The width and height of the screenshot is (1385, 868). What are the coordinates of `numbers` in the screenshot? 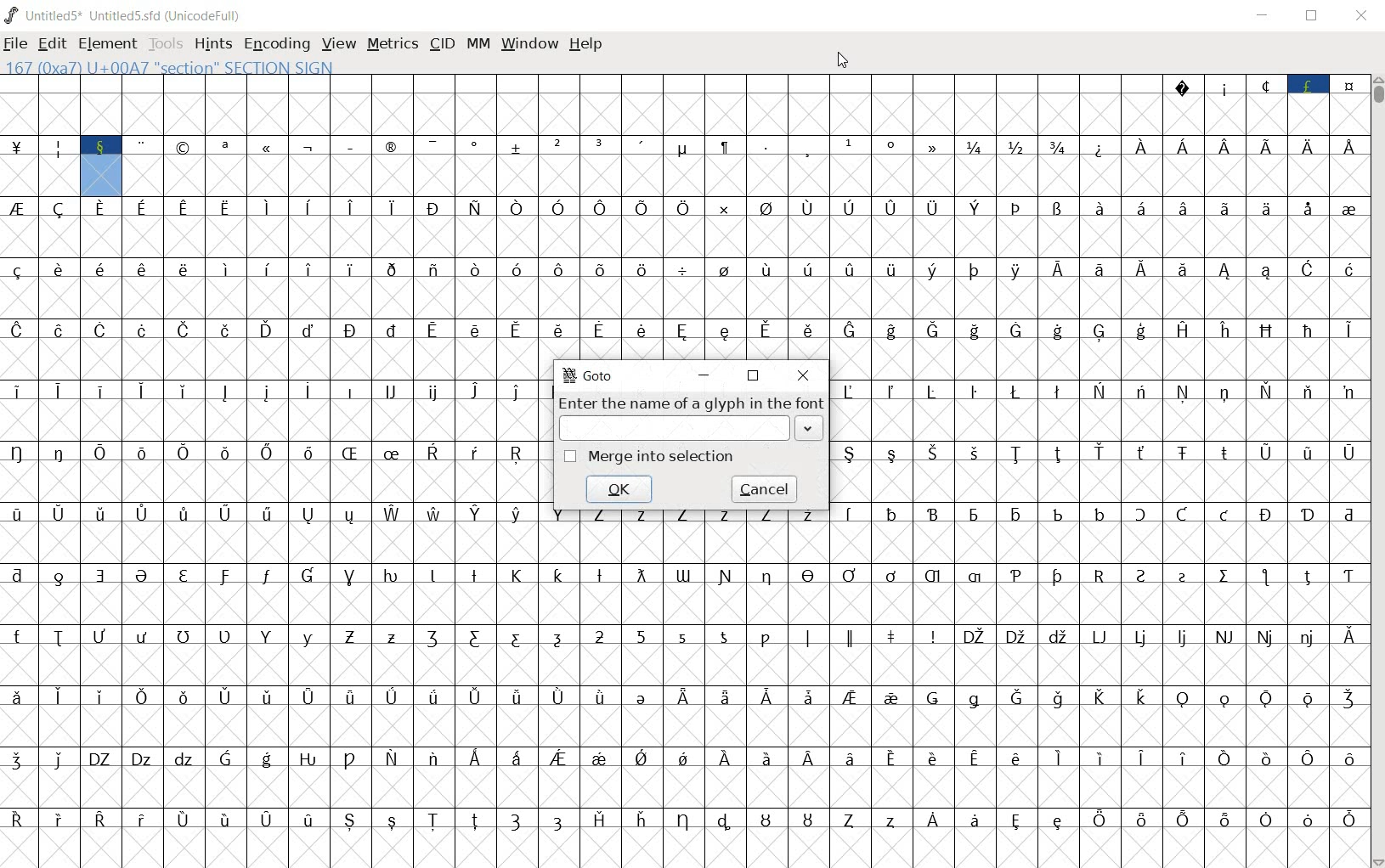 It's located at (663, 656).